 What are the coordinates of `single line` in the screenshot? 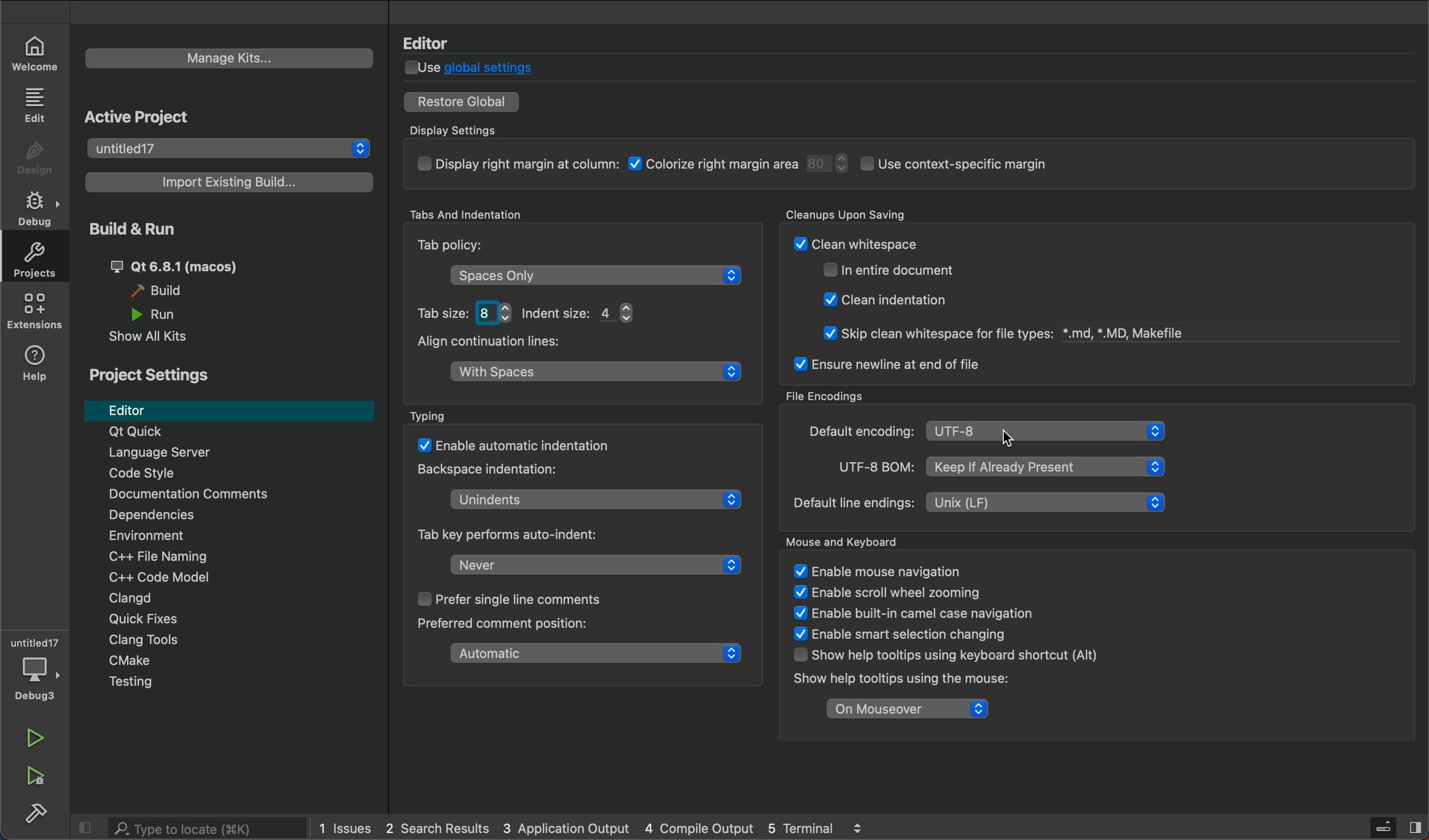 It's located at (526, 600).